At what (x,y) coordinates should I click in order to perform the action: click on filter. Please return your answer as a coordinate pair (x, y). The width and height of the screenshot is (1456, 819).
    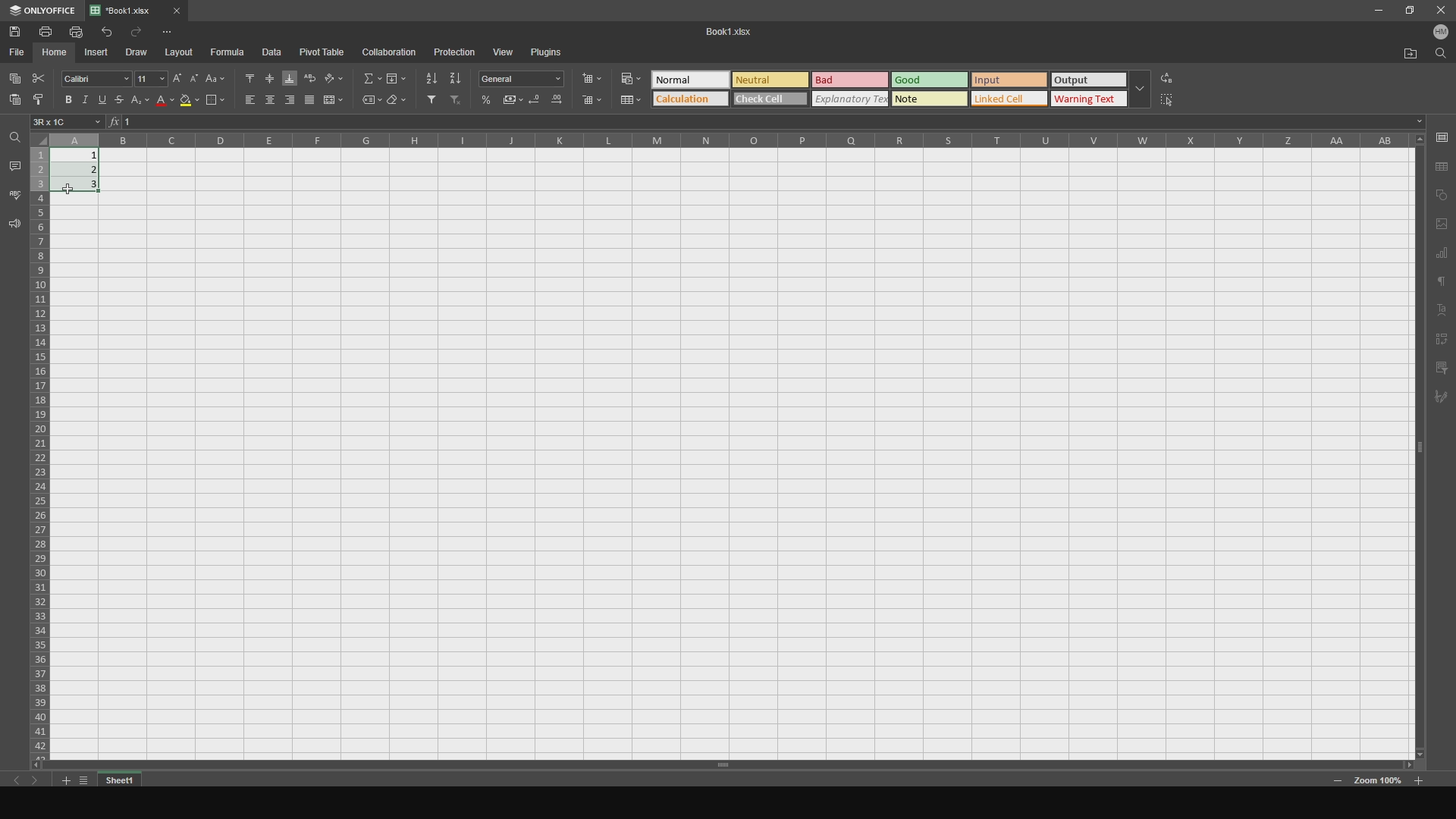
    Looking at the image, I should click on (1442, 367).